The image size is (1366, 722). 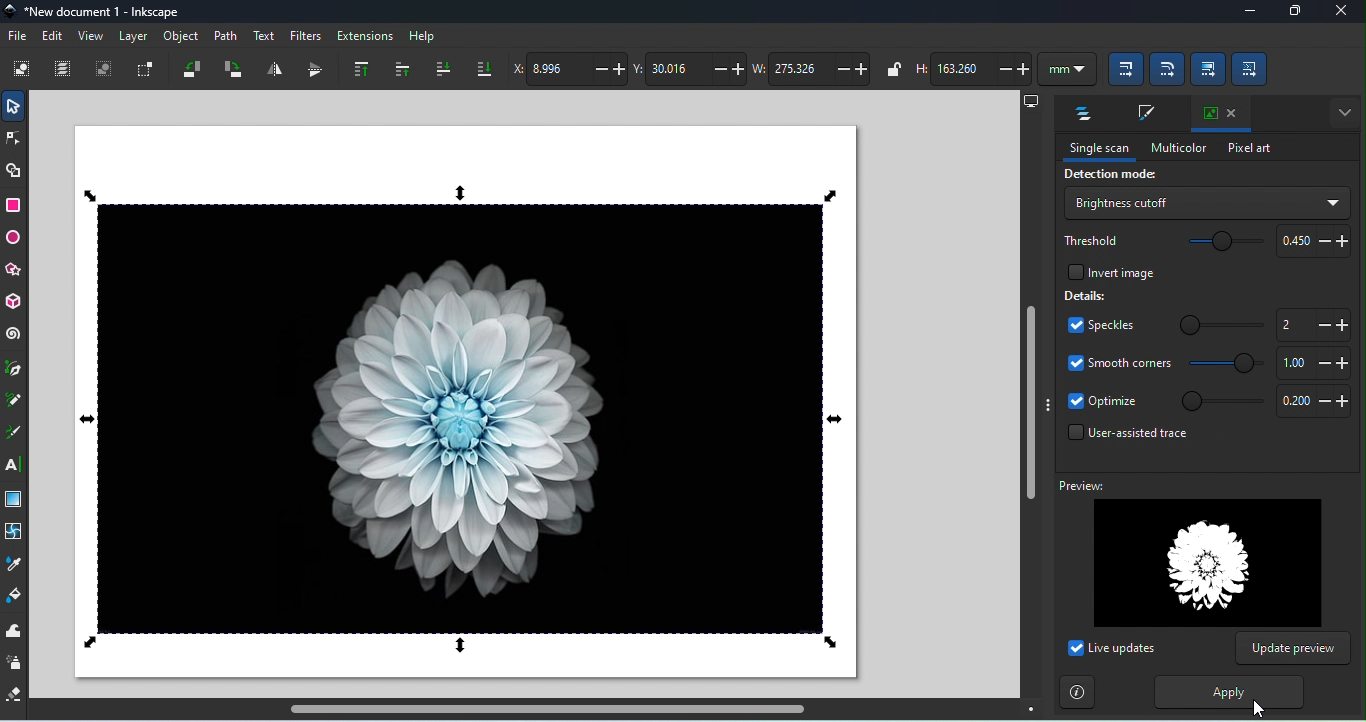 I want to click on File name, so click(x=94, y=12).